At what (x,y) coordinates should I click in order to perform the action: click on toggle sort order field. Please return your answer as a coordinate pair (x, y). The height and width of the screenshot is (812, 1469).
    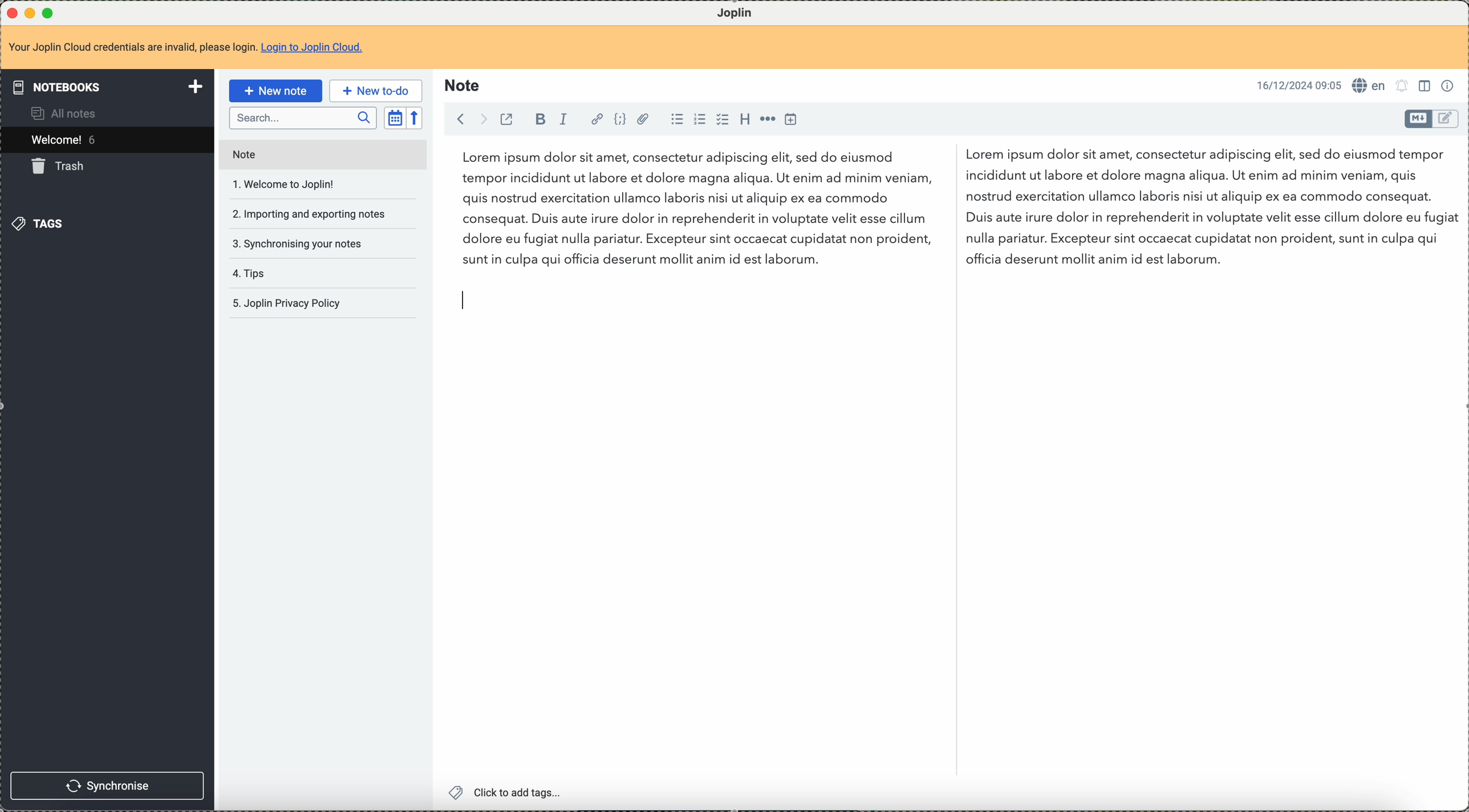
    Looking at the image, I should click on (393, 117).